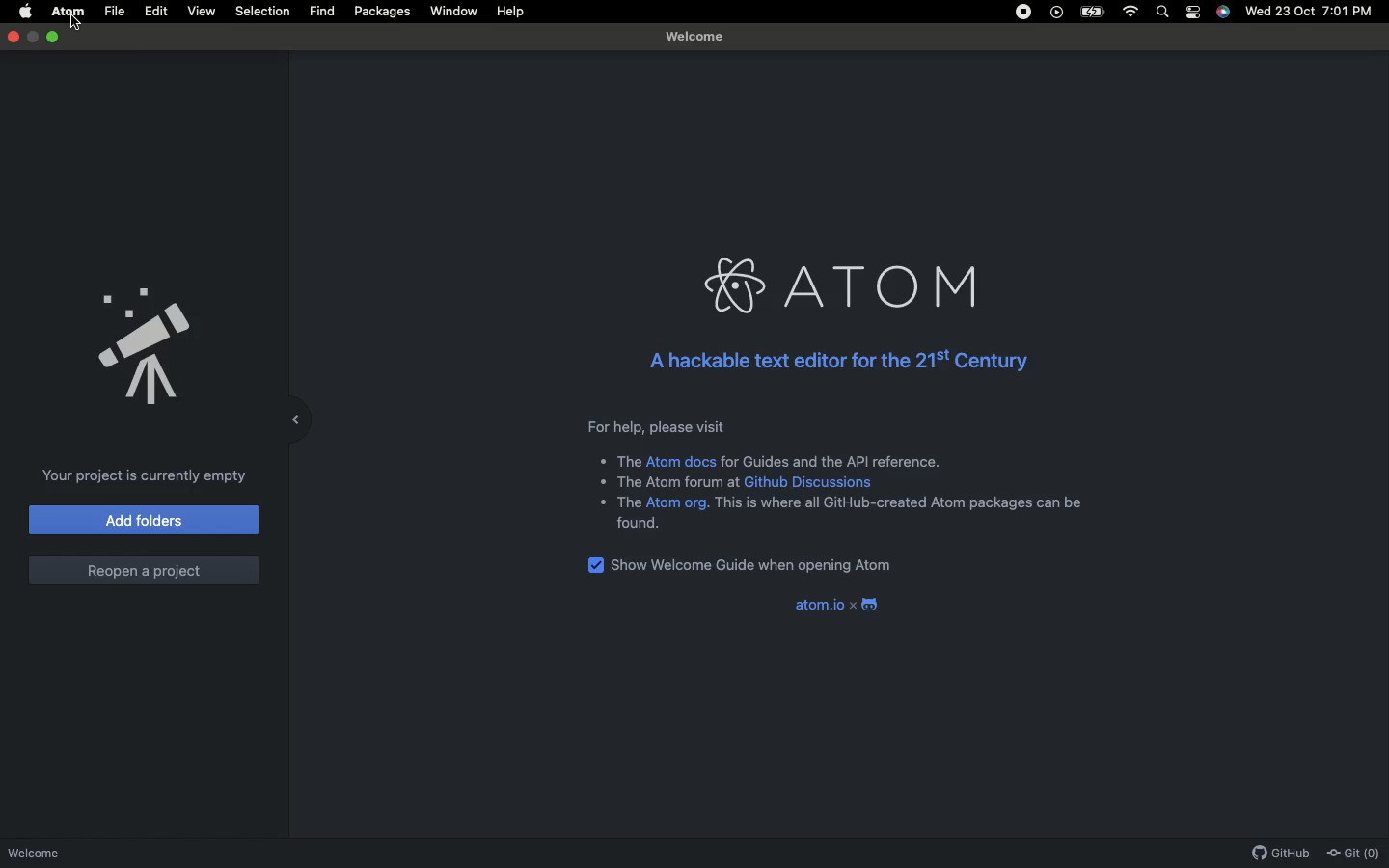  Describe the element at coordinates (116, 10) in the screenshot. I see `File` at that location.